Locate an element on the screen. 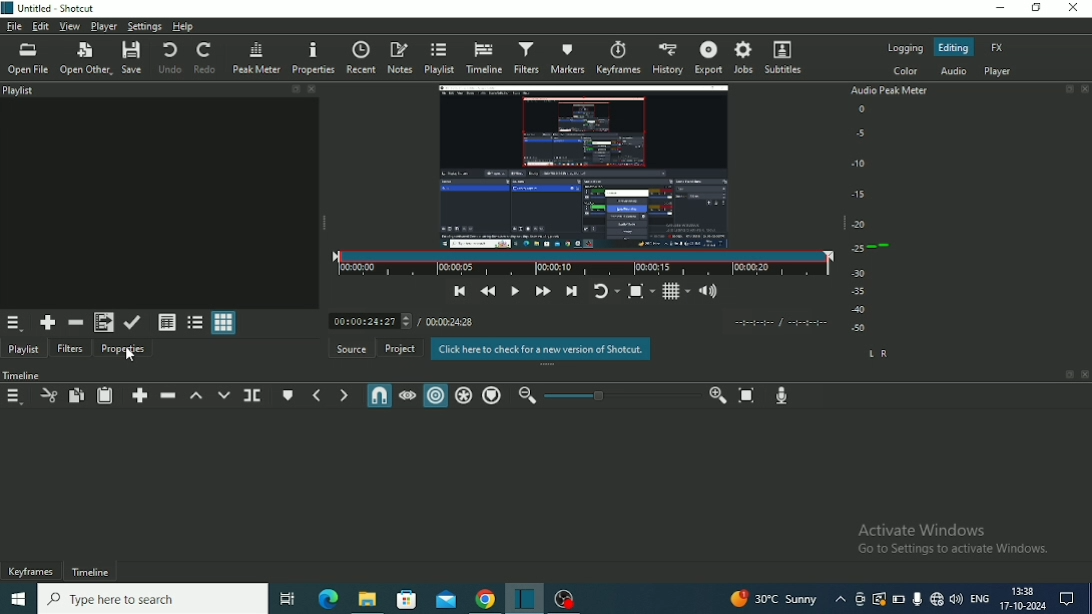 This screenshot has height=614, width=1092. FX is located at coordinates (997, 47).